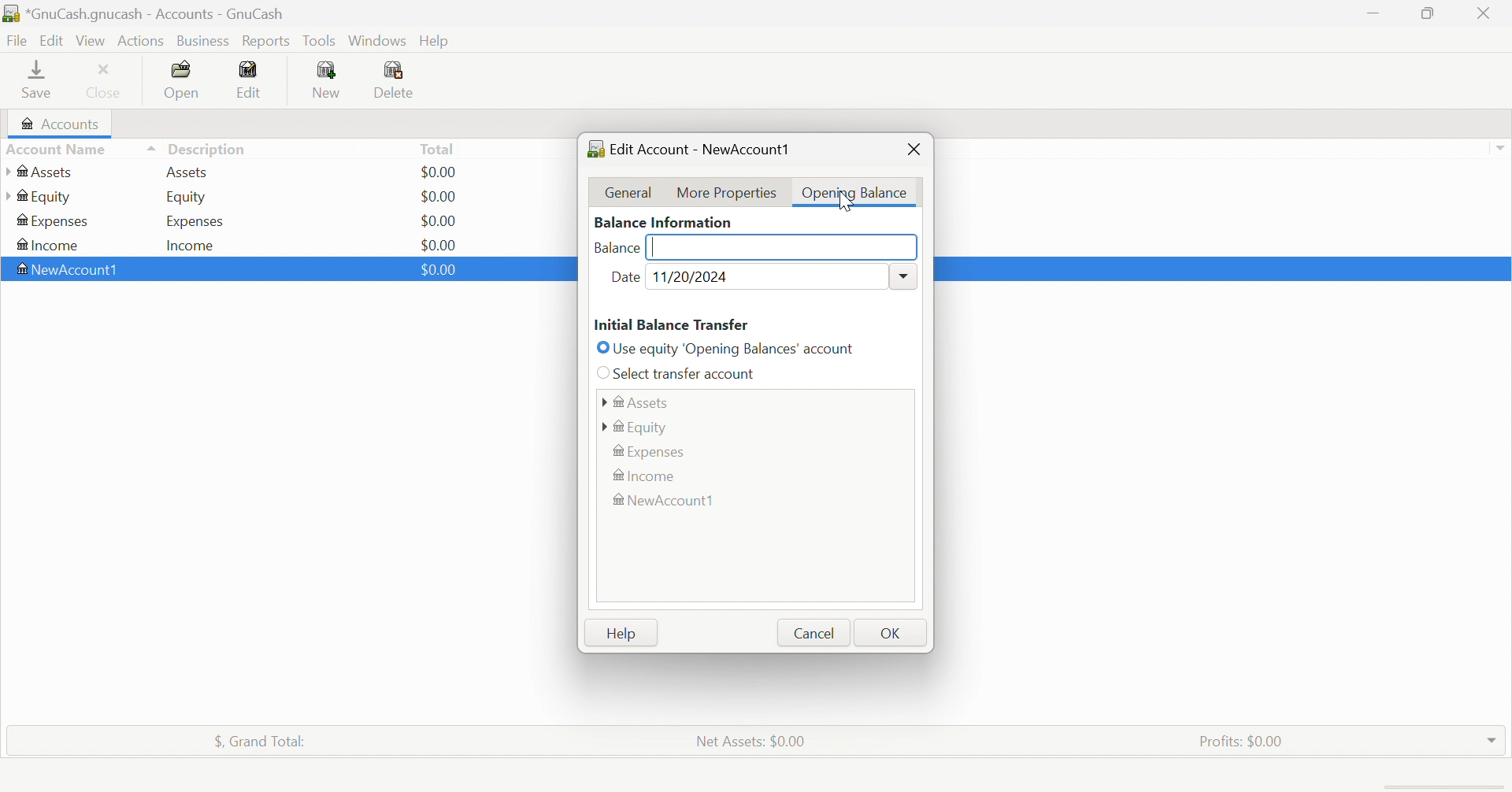 The width and height of the screenshot is (1512, 792). I want to click on Profits: $0.00, so click(1240, 739).